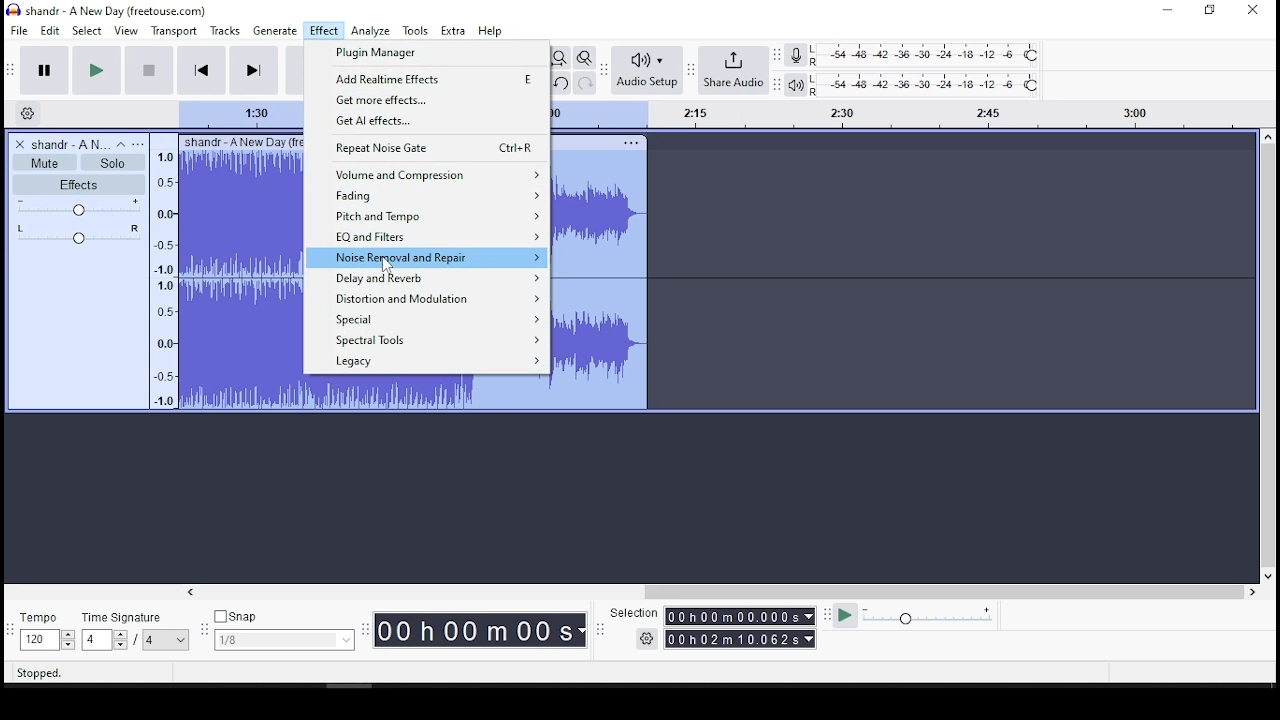 This screenshot has height=720, width=1280. Describe the element at coordinates (79, 234) in the screenshot. I see `pan` at that location.